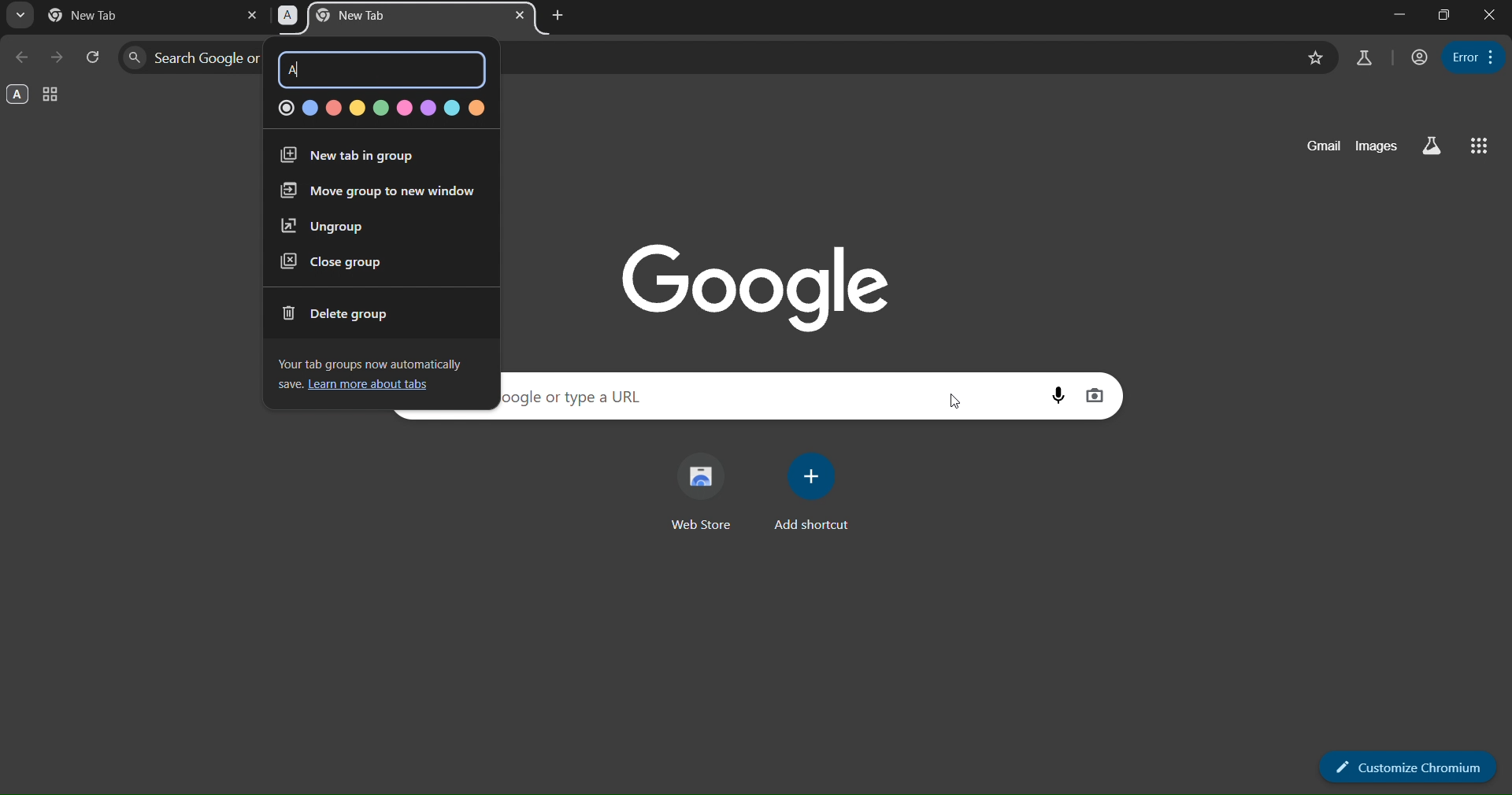  What do you see at coordinates (374, 14) in the screenshot?
I see `A - new tab` at bounding box center [374, 14].